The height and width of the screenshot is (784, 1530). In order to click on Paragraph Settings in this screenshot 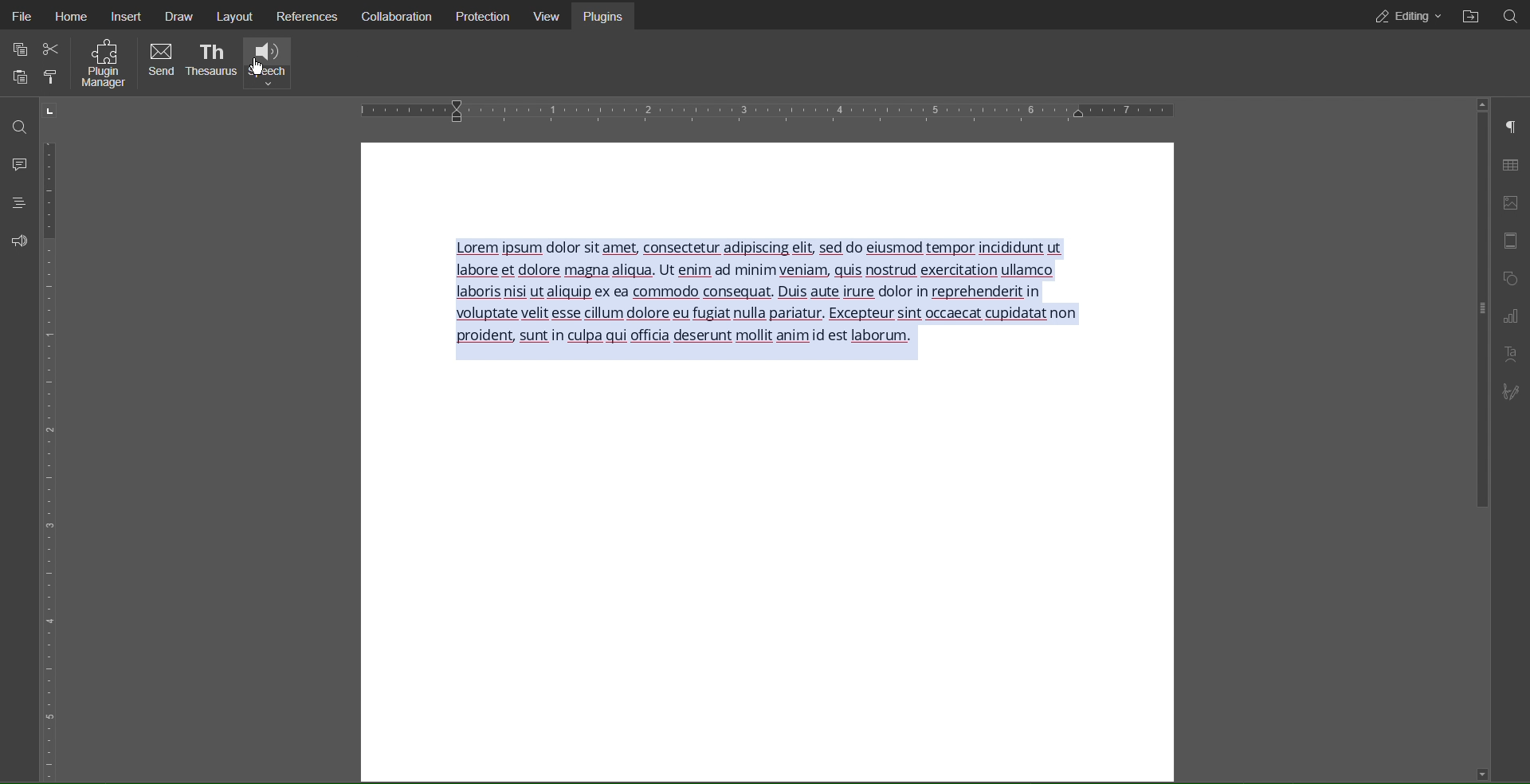, I will do `click(1512, 126)`.